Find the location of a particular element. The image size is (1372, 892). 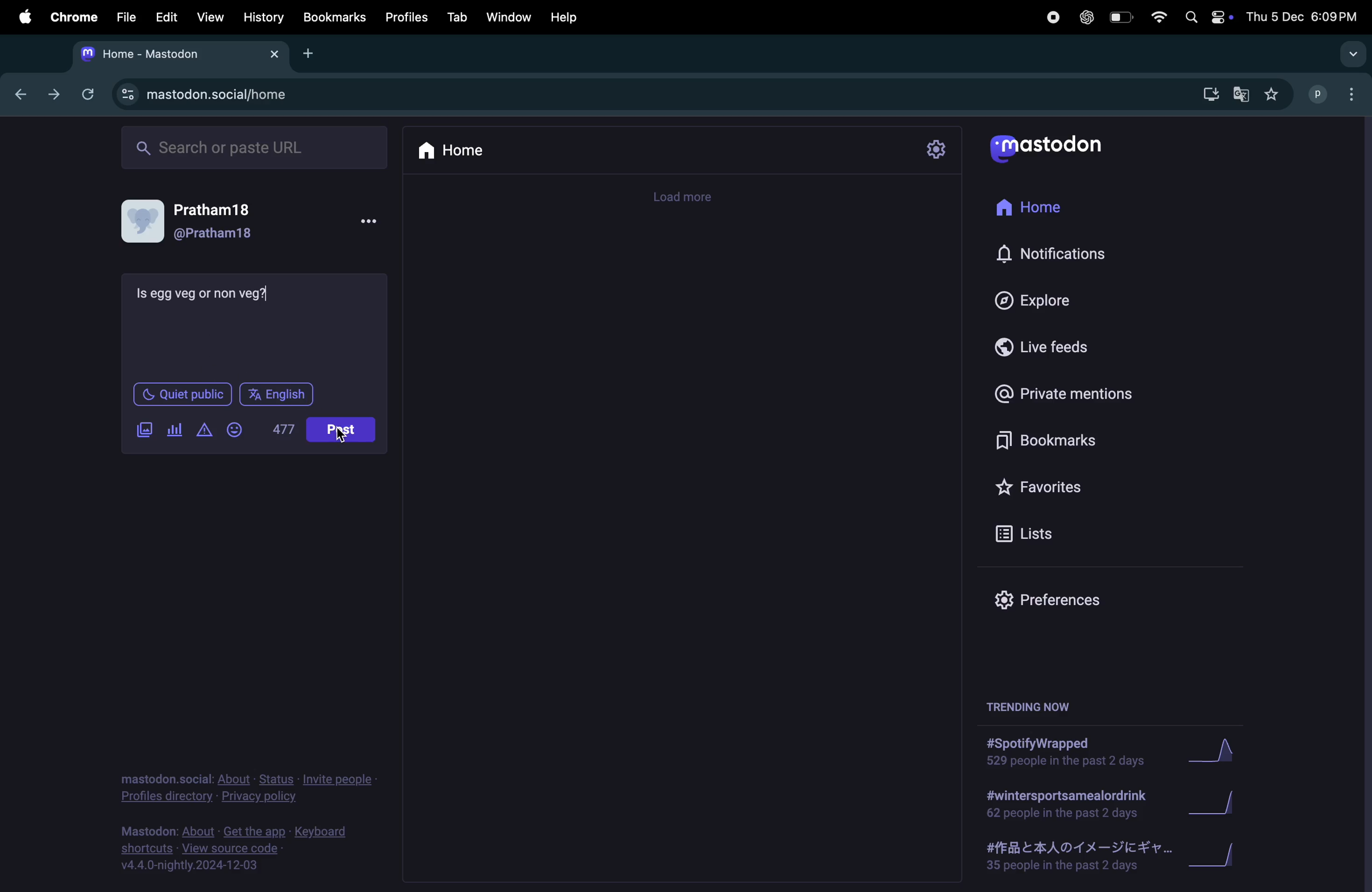

edit is located at coordinates (168, 18).